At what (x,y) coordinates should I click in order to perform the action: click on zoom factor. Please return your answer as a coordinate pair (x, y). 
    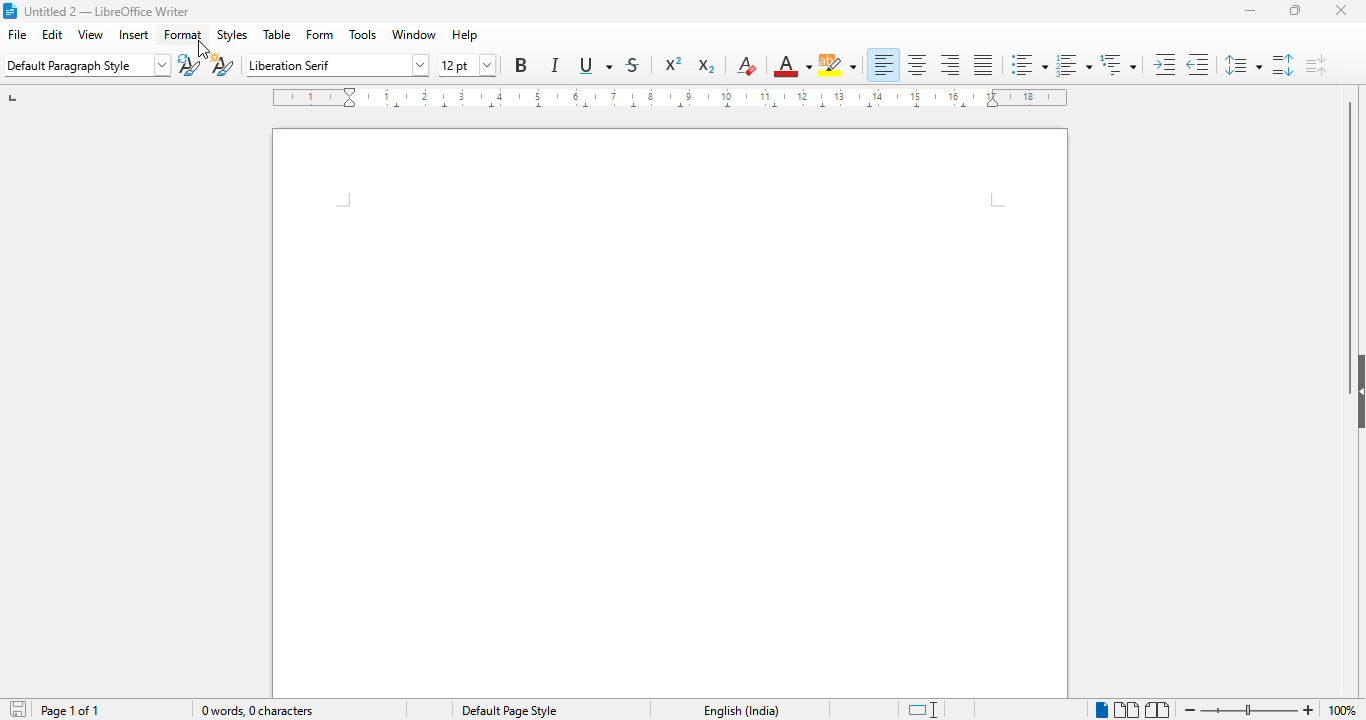
    Looking at the image, I should click on (1342, 711).